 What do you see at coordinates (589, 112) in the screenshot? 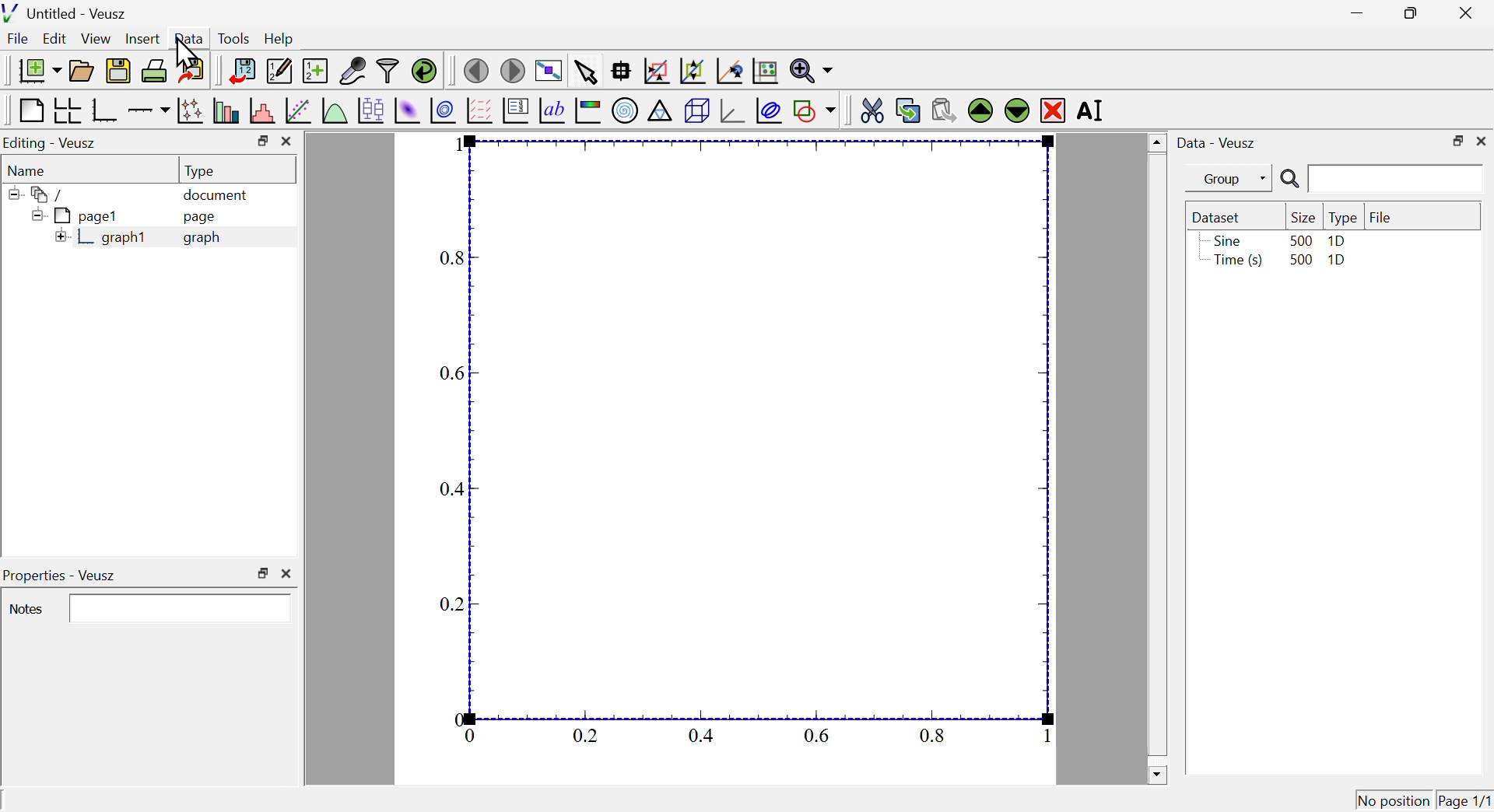
I see `image color bar` at bounding box center [589, 112].